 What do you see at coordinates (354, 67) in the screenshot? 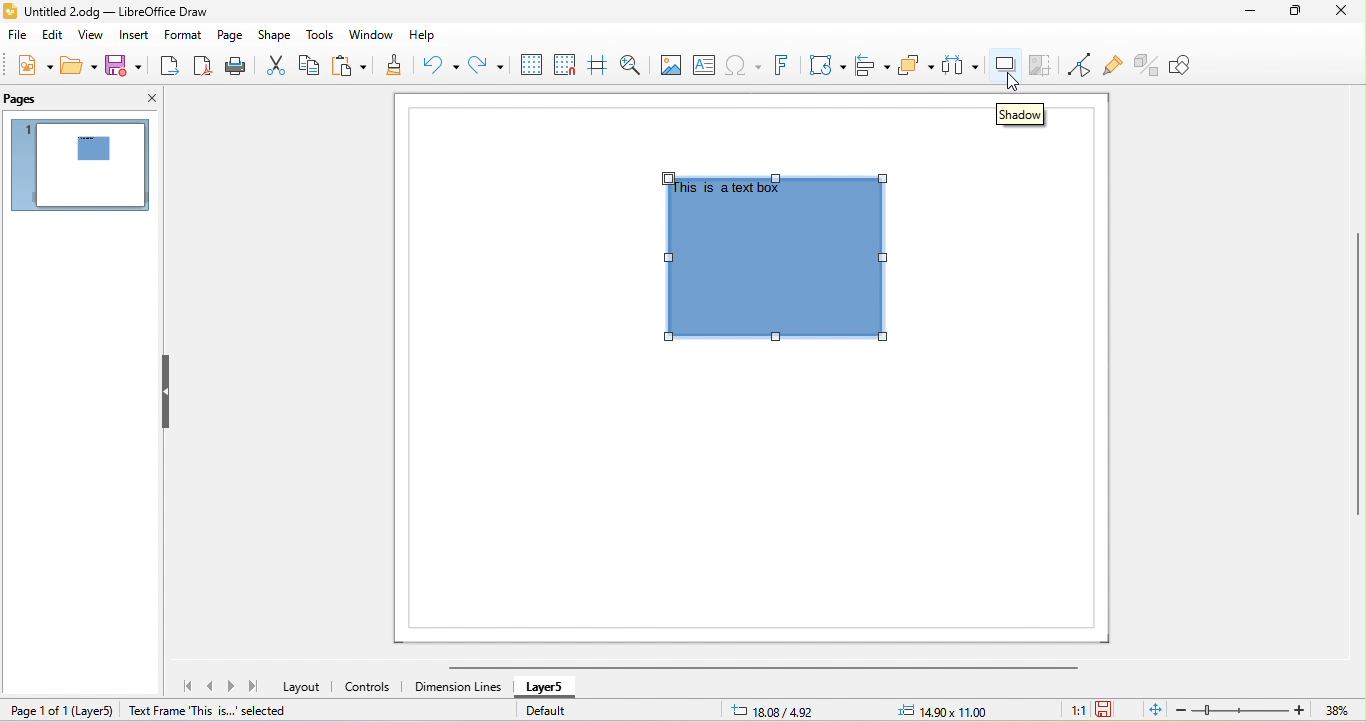
I see `paste` at bounding box center [354, 67].